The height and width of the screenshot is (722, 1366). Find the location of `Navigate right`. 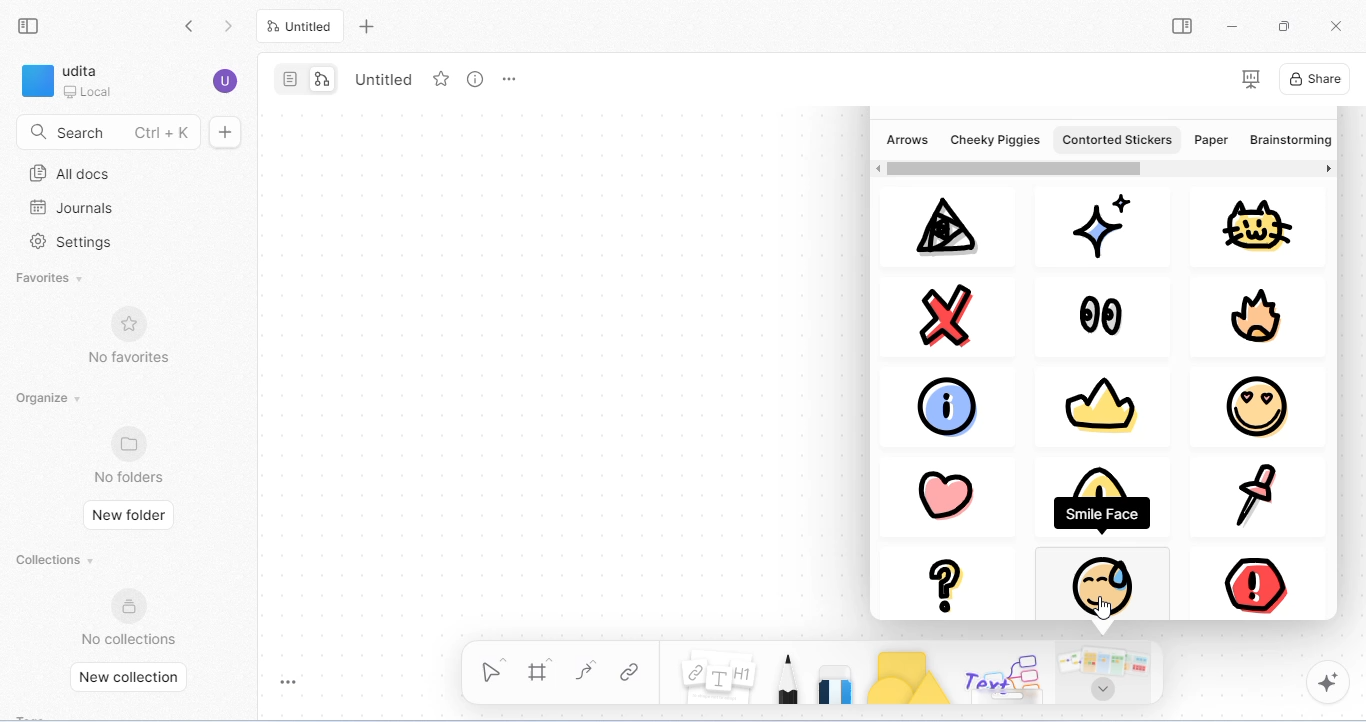

Navigate right is located at coordinates (1328, 171).